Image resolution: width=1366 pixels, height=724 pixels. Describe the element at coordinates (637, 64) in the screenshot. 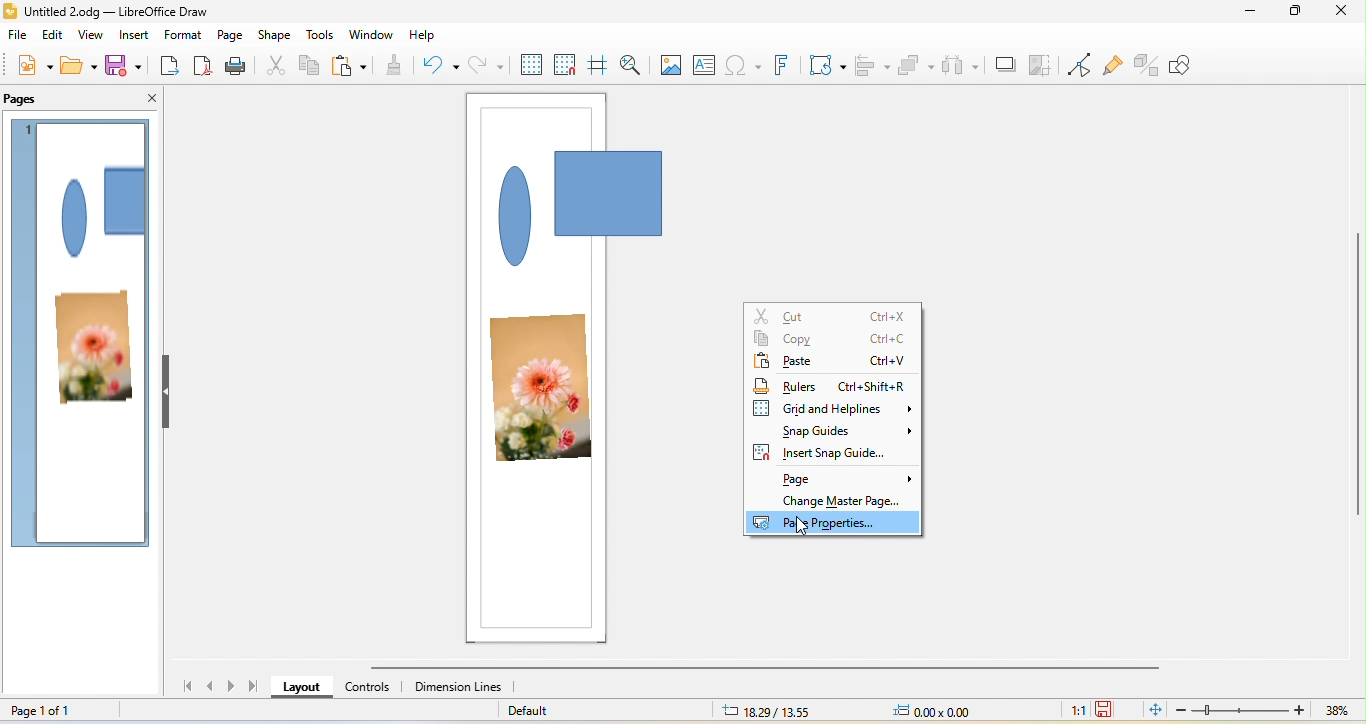

I see `zoom and pan` at that location.